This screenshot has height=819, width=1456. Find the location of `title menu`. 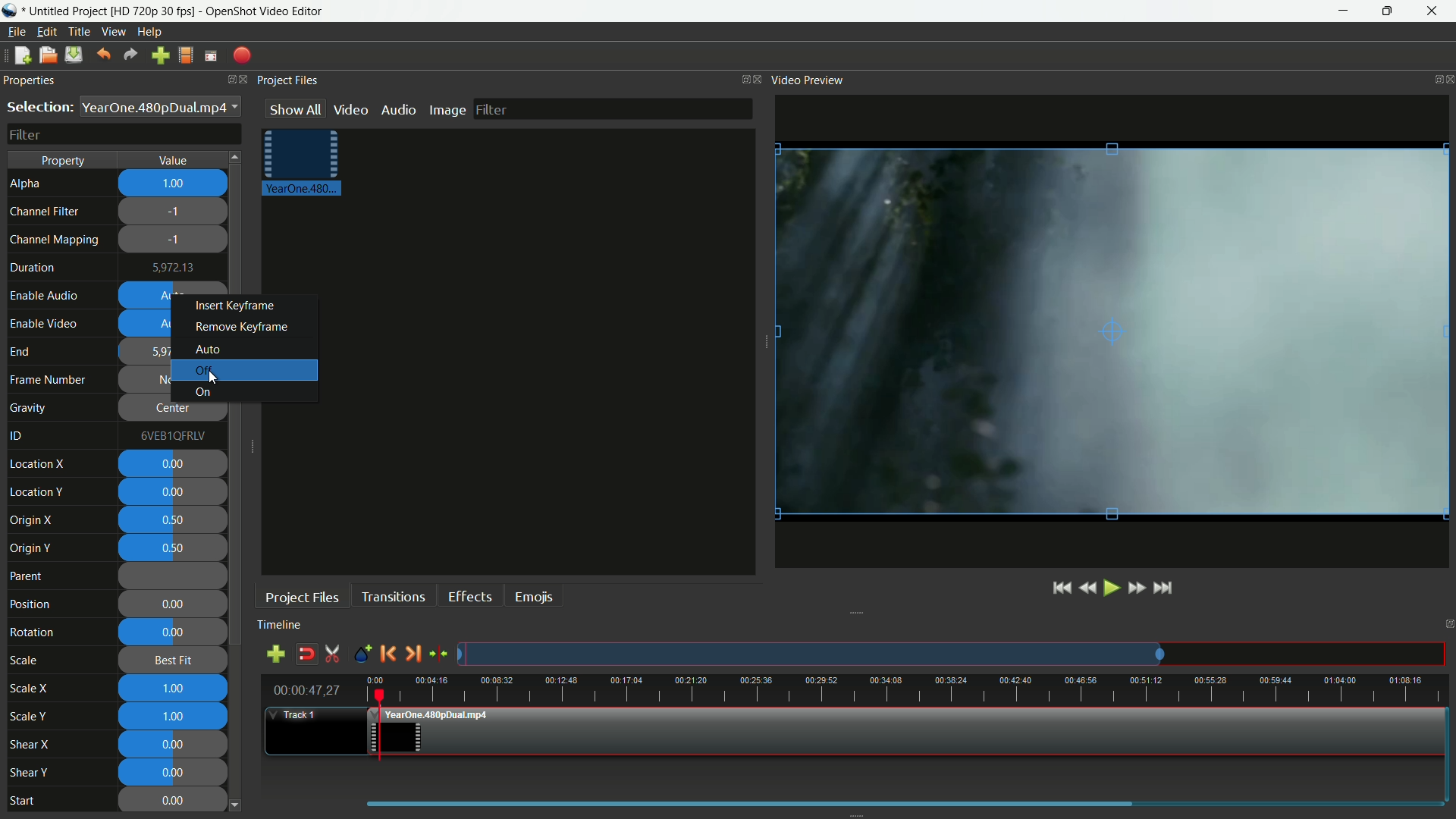

title menu is located at coordinates (80, 32).